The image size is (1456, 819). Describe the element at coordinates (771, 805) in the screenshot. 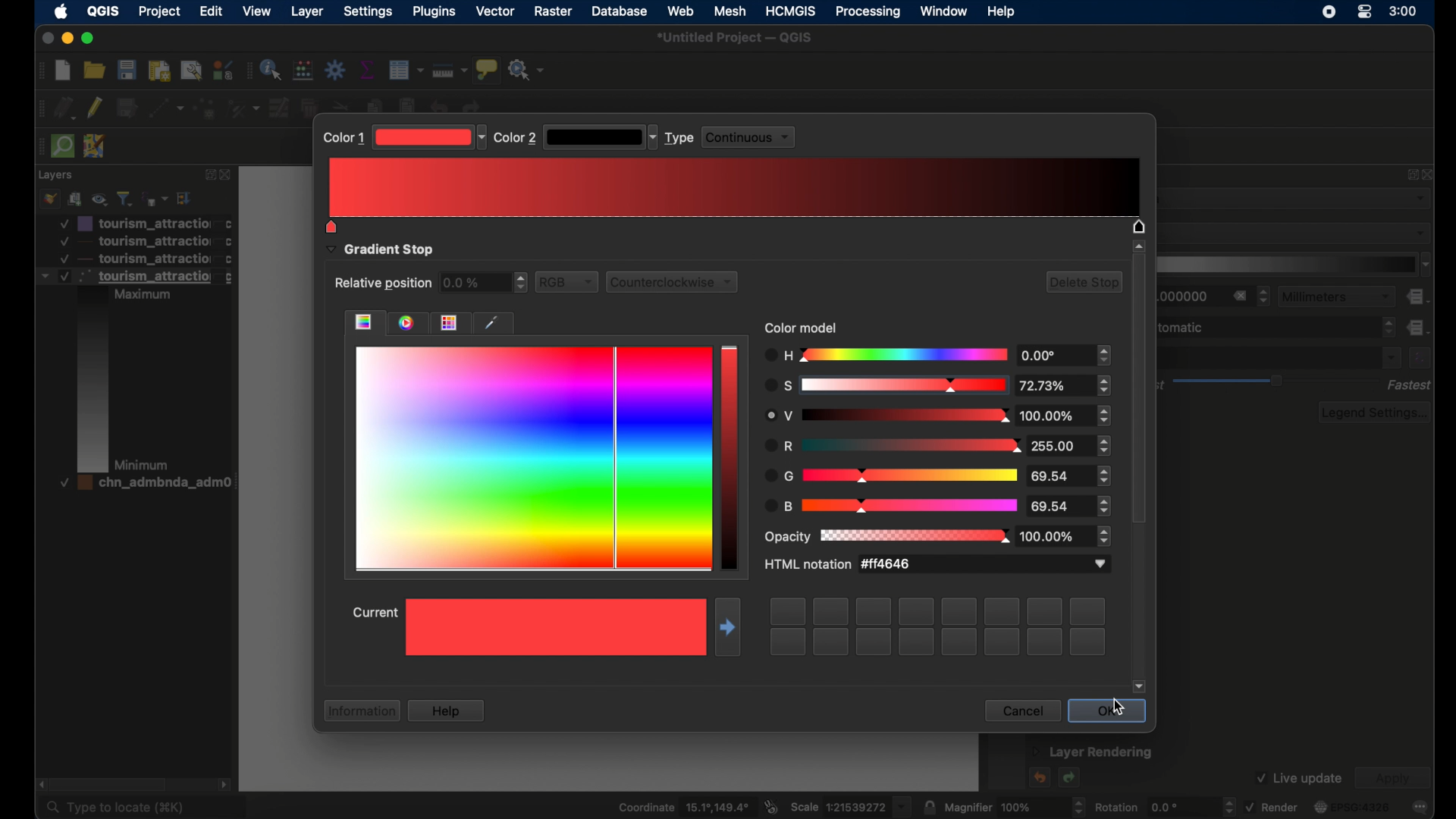

I see `toggle extents and mouse display position` at that location.